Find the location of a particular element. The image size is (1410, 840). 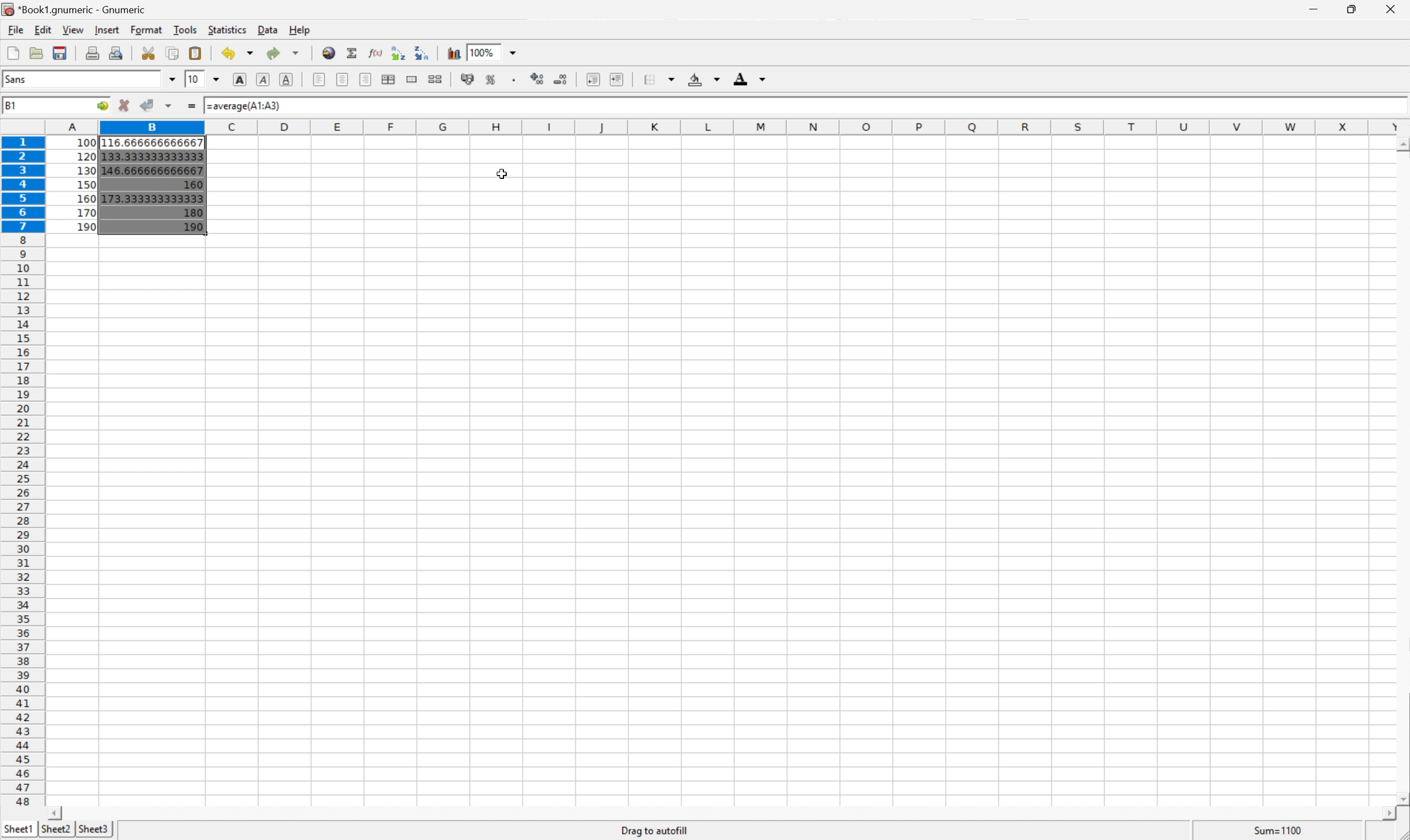

Minimize is located at coordinates (1310, 8).